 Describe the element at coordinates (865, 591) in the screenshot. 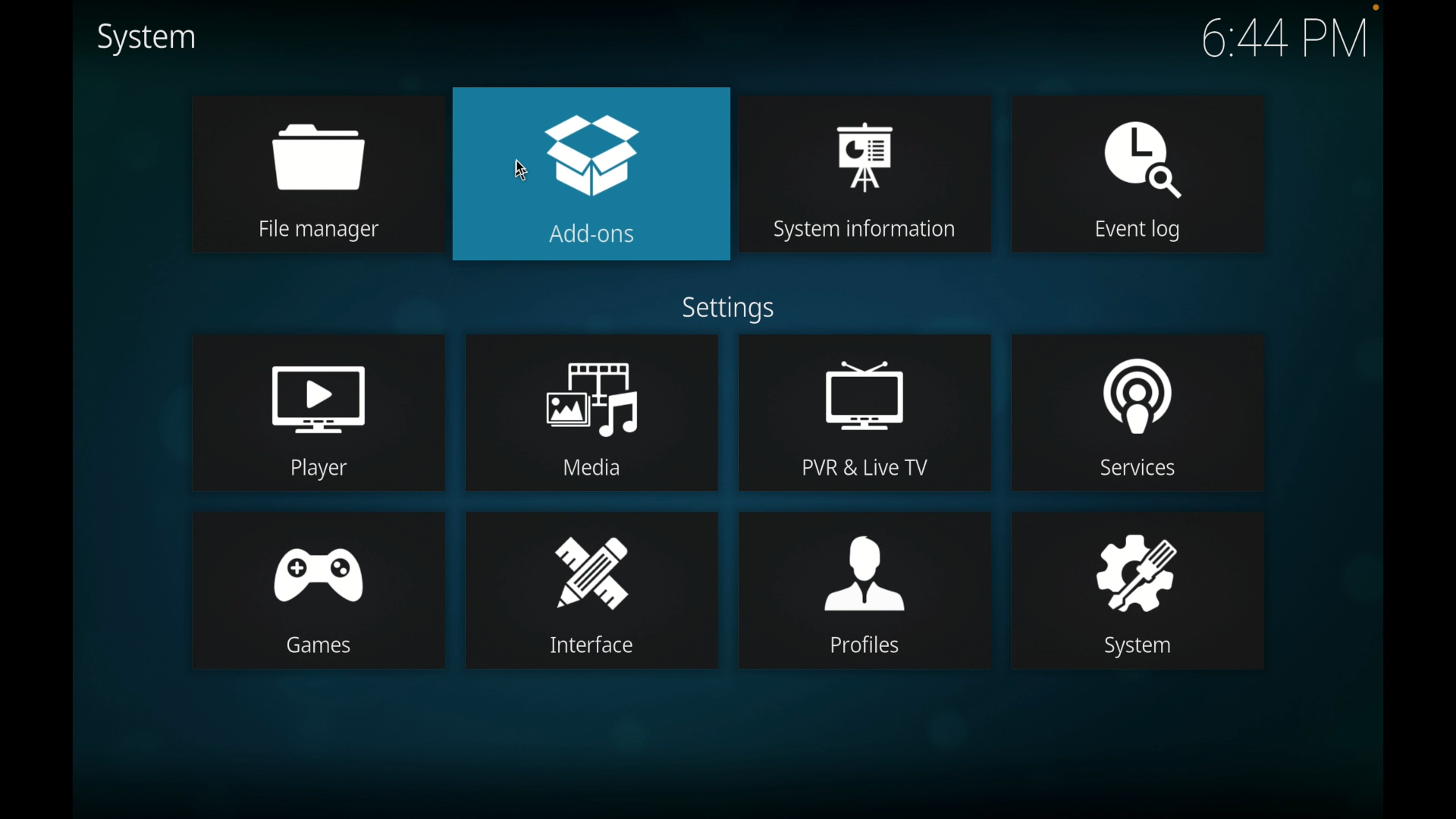

I see `profiles` at that location.